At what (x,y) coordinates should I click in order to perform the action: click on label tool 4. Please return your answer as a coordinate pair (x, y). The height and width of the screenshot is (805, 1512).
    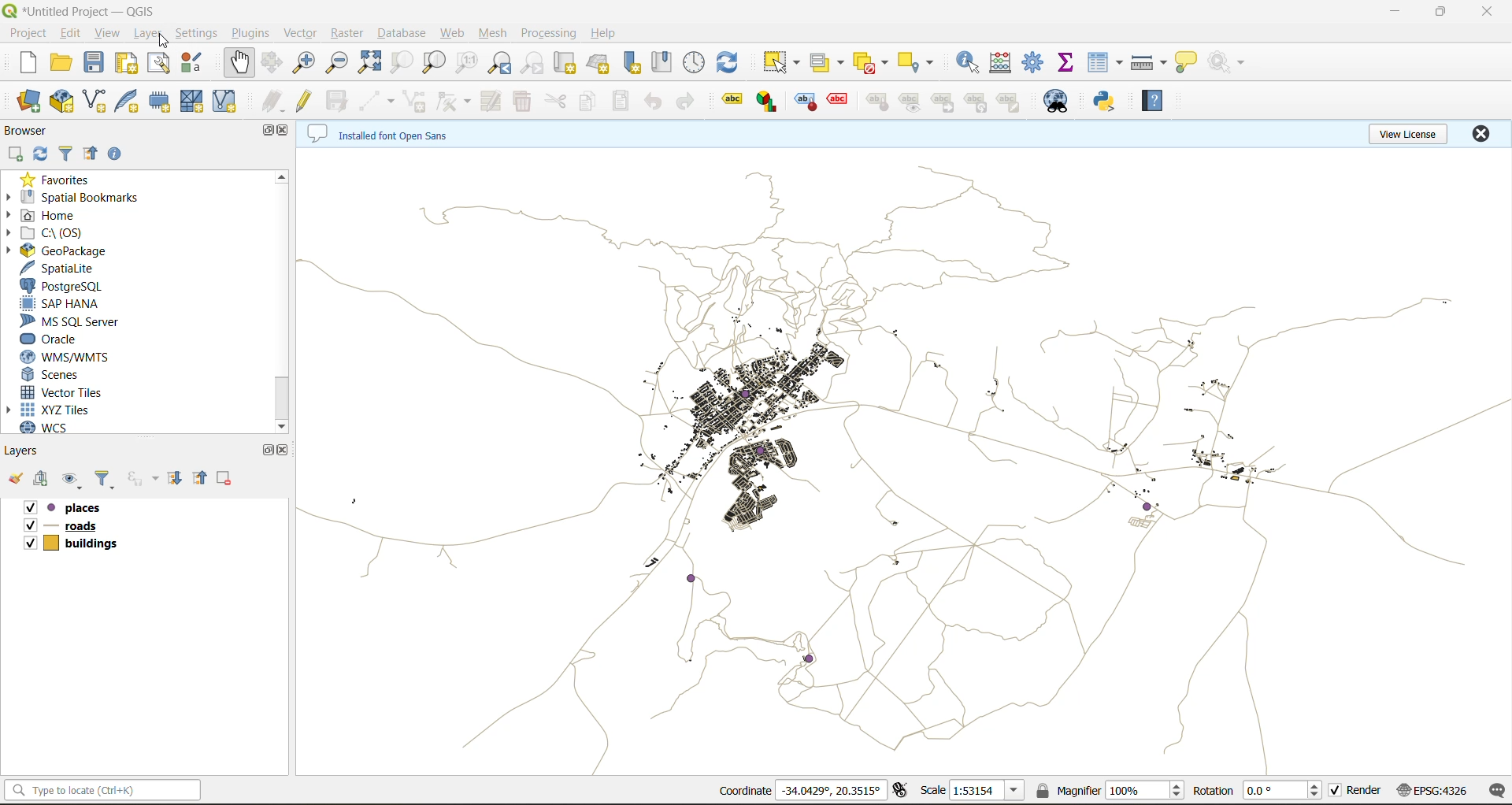
    Looking at the image, I should click on (836, 100).